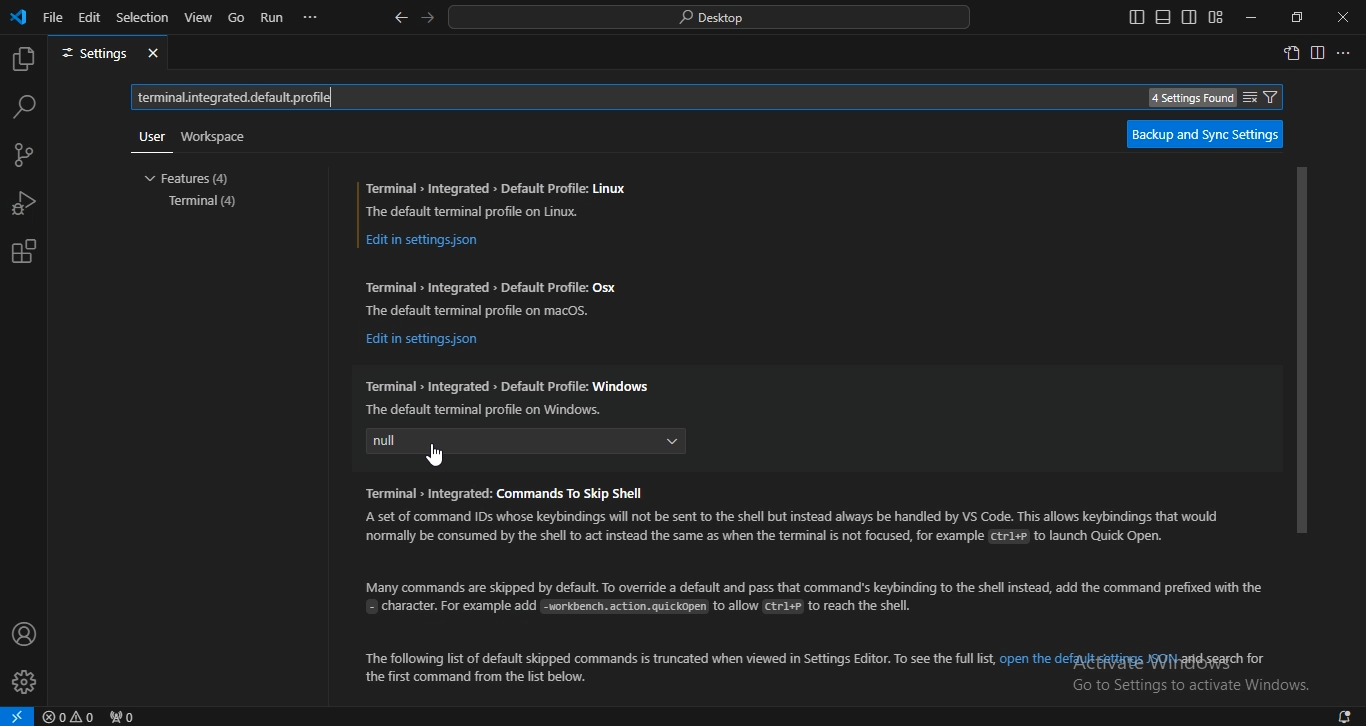 The width and height of the screenshot is (1366, 726). I want to click on search, so click(711, 19).